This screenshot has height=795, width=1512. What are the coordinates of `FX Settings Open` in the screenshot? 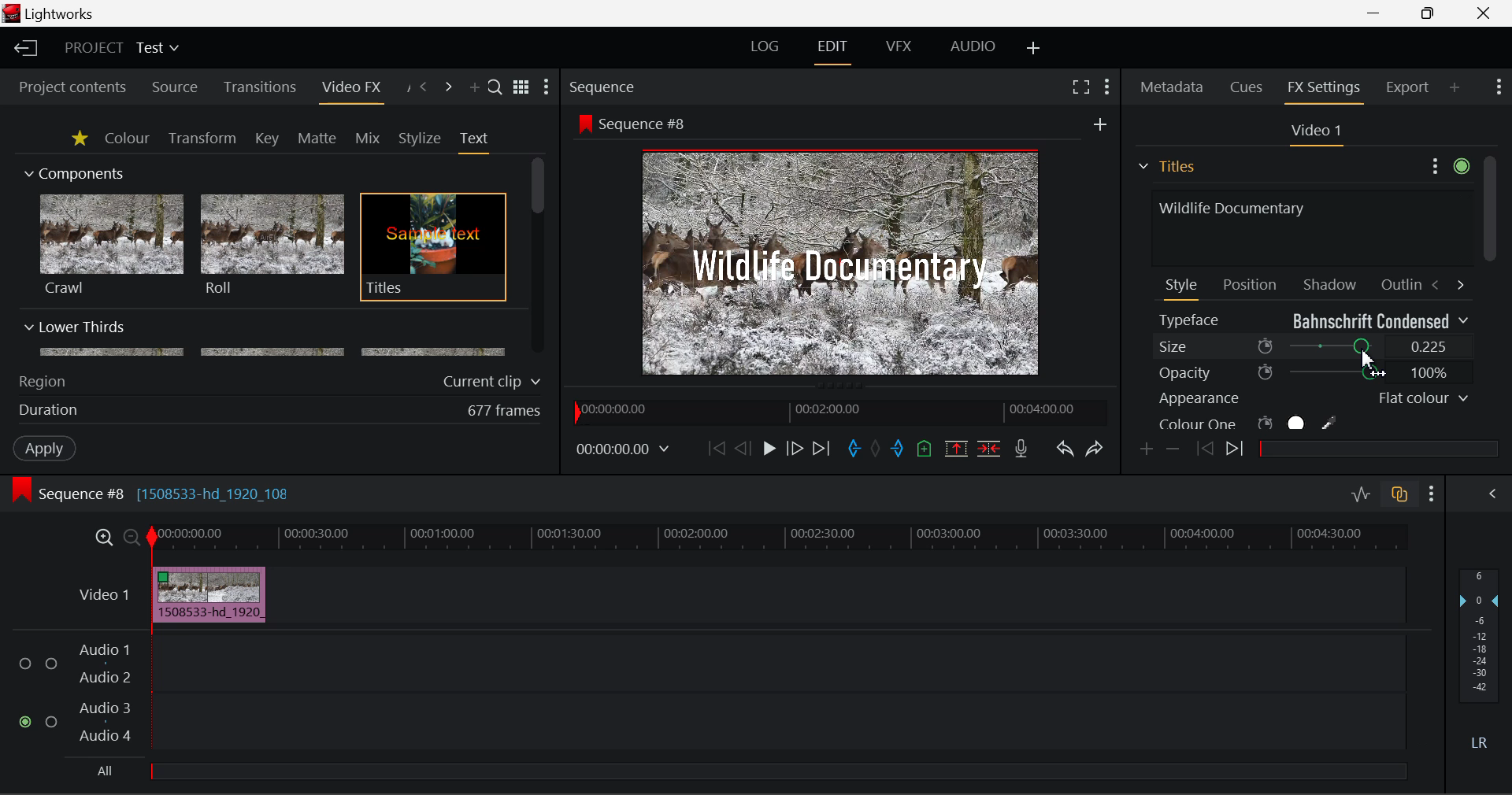 It's located at (1326, 90).